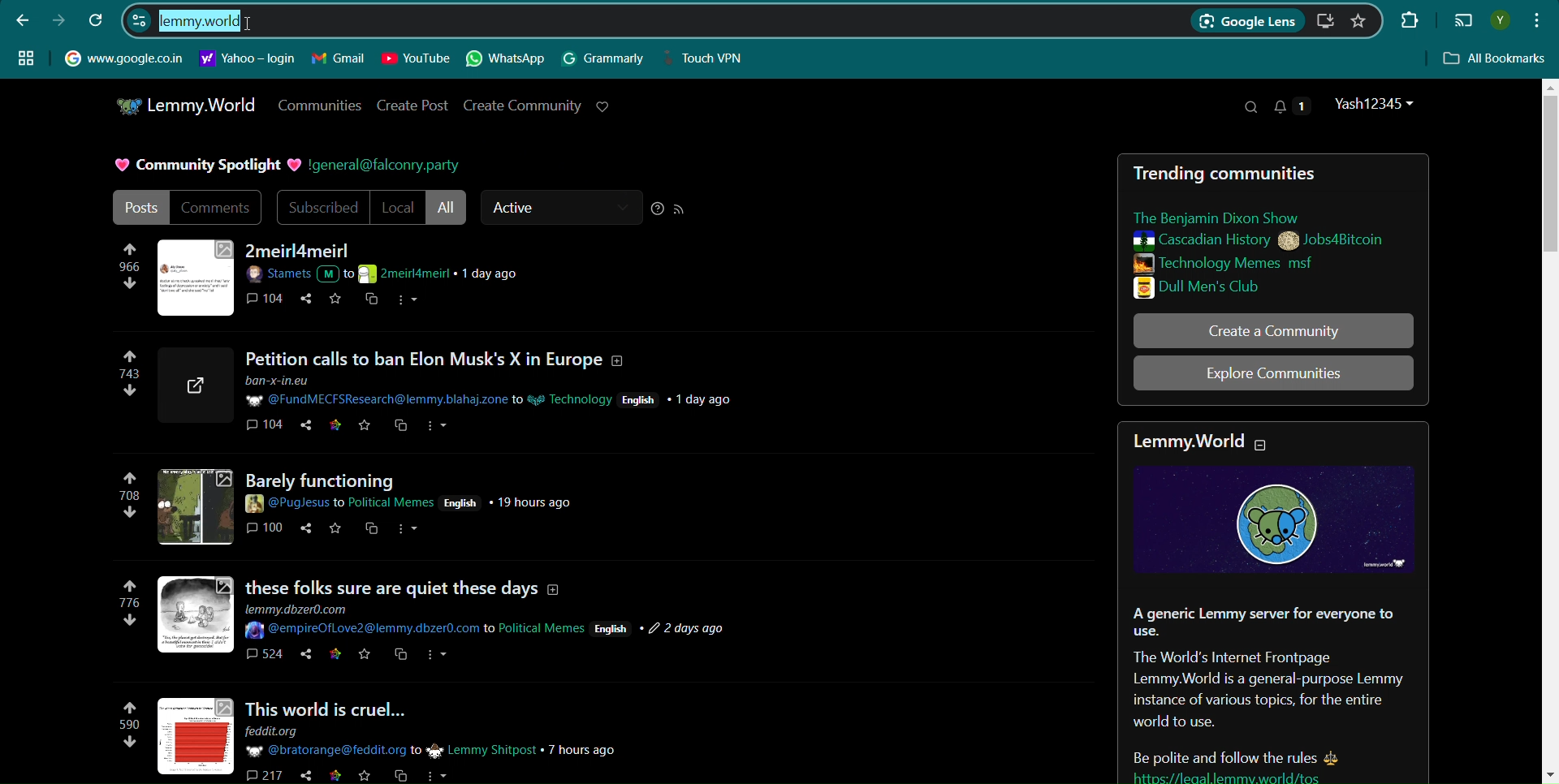  I want to click on 590, so click(123, 729).